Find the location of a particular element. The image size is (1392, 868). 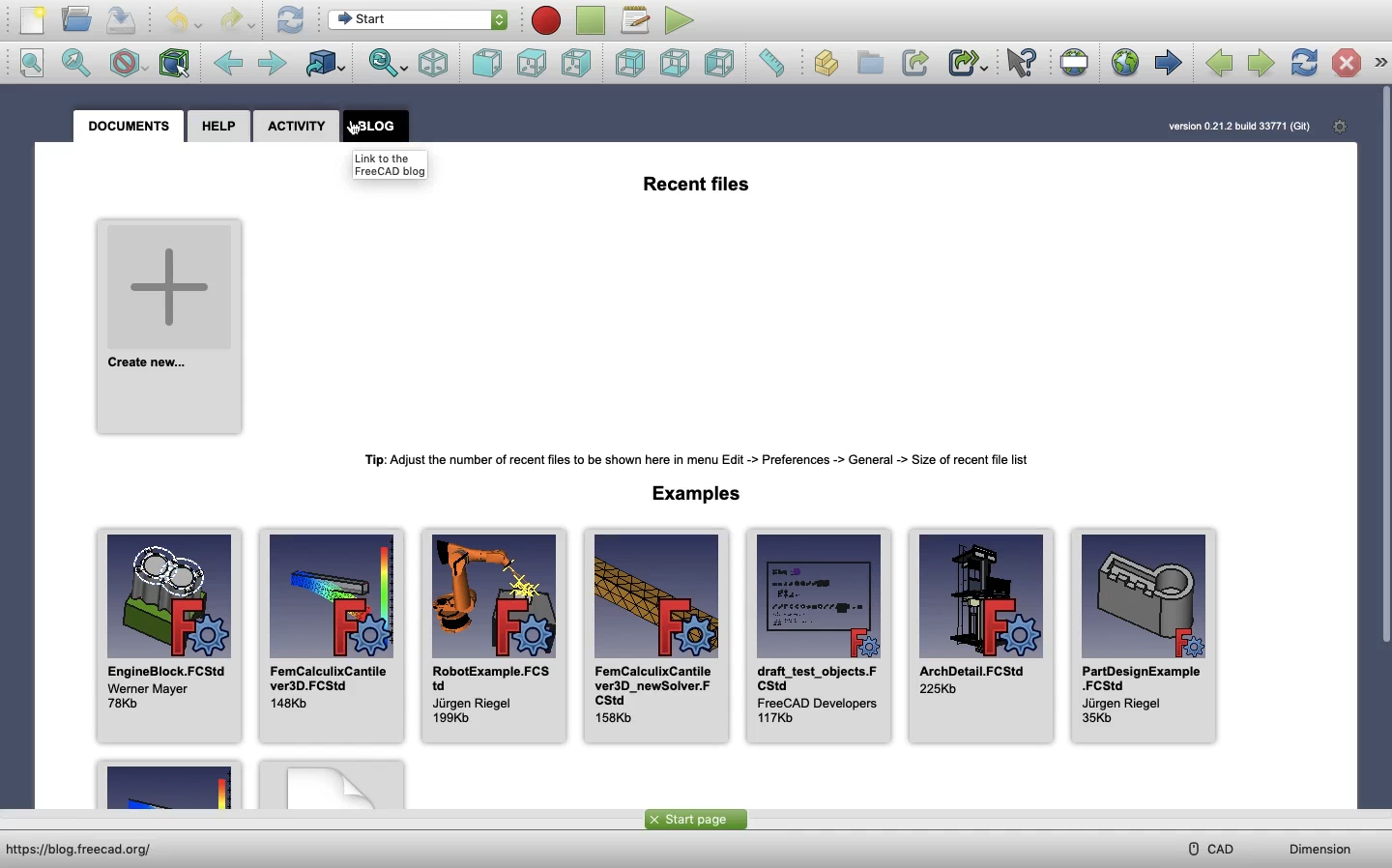

Record Macro is located at coordinates (546, 20).